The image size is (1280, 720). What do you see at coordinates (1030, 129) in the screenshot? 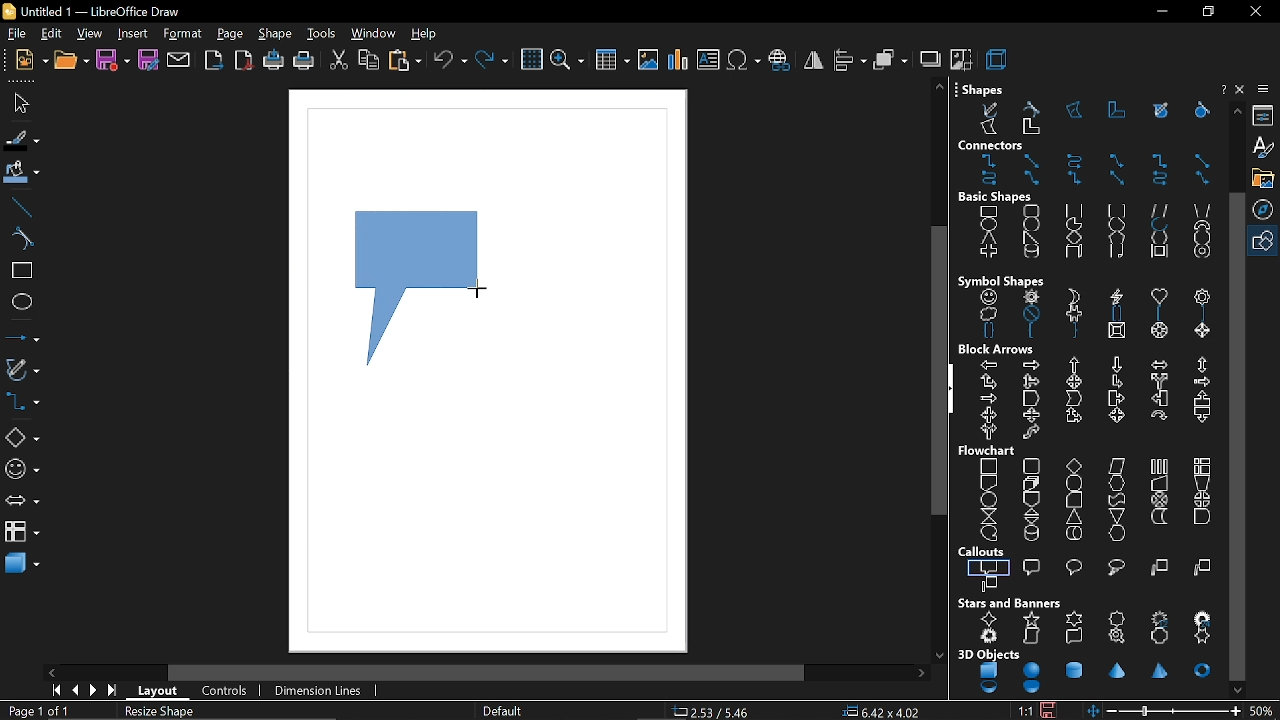
I see `polygon 45 filled` at bounding box center [1030, 129].